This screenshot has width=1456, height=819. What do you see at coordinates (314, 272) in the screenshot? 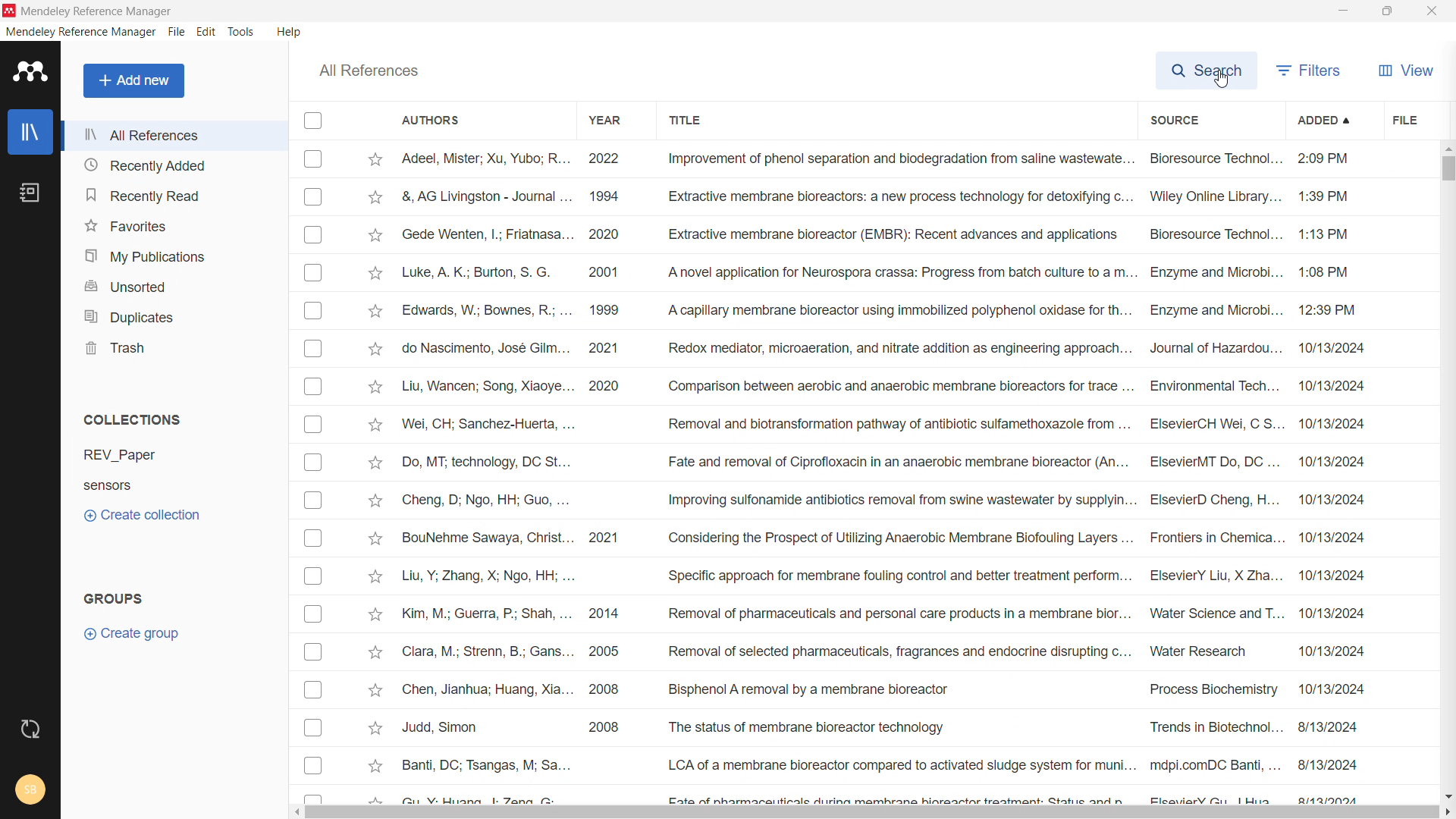
I see `Checkbox` at bounding box center [314, 272].